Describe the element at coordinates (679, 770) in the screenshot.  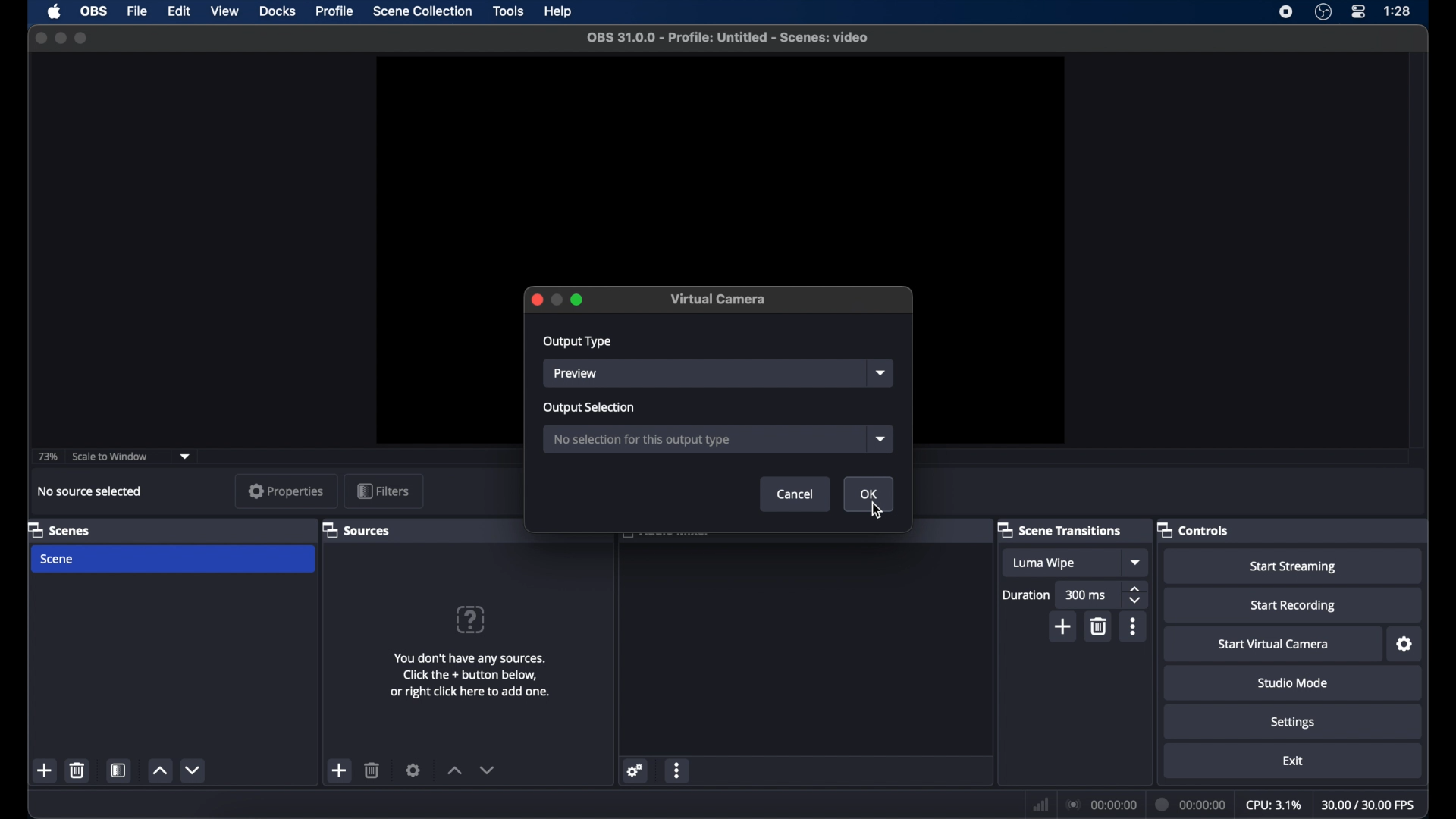
I see `more options` at that location.